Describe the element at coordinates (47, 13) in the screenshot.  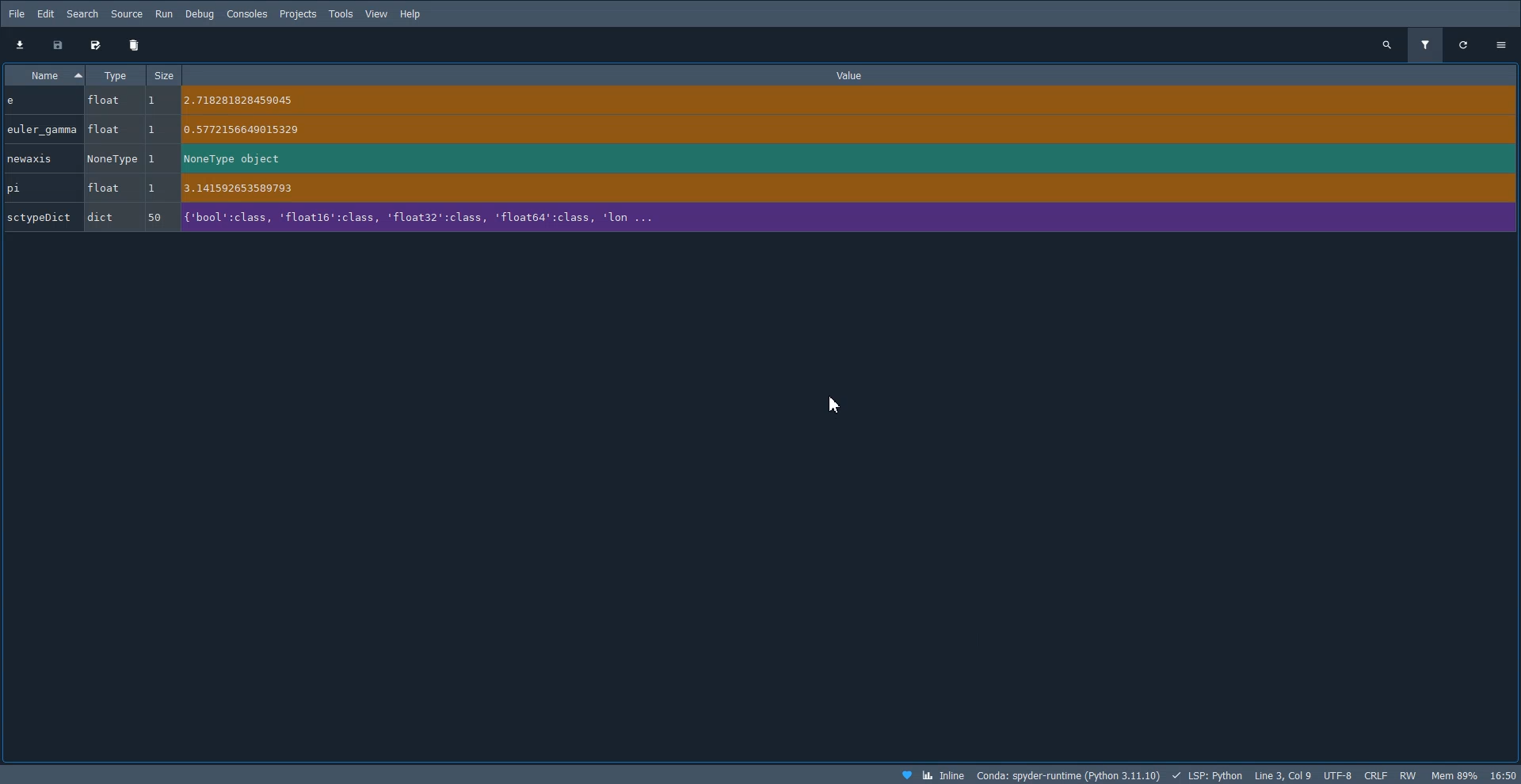
I see `Edit` at that location.